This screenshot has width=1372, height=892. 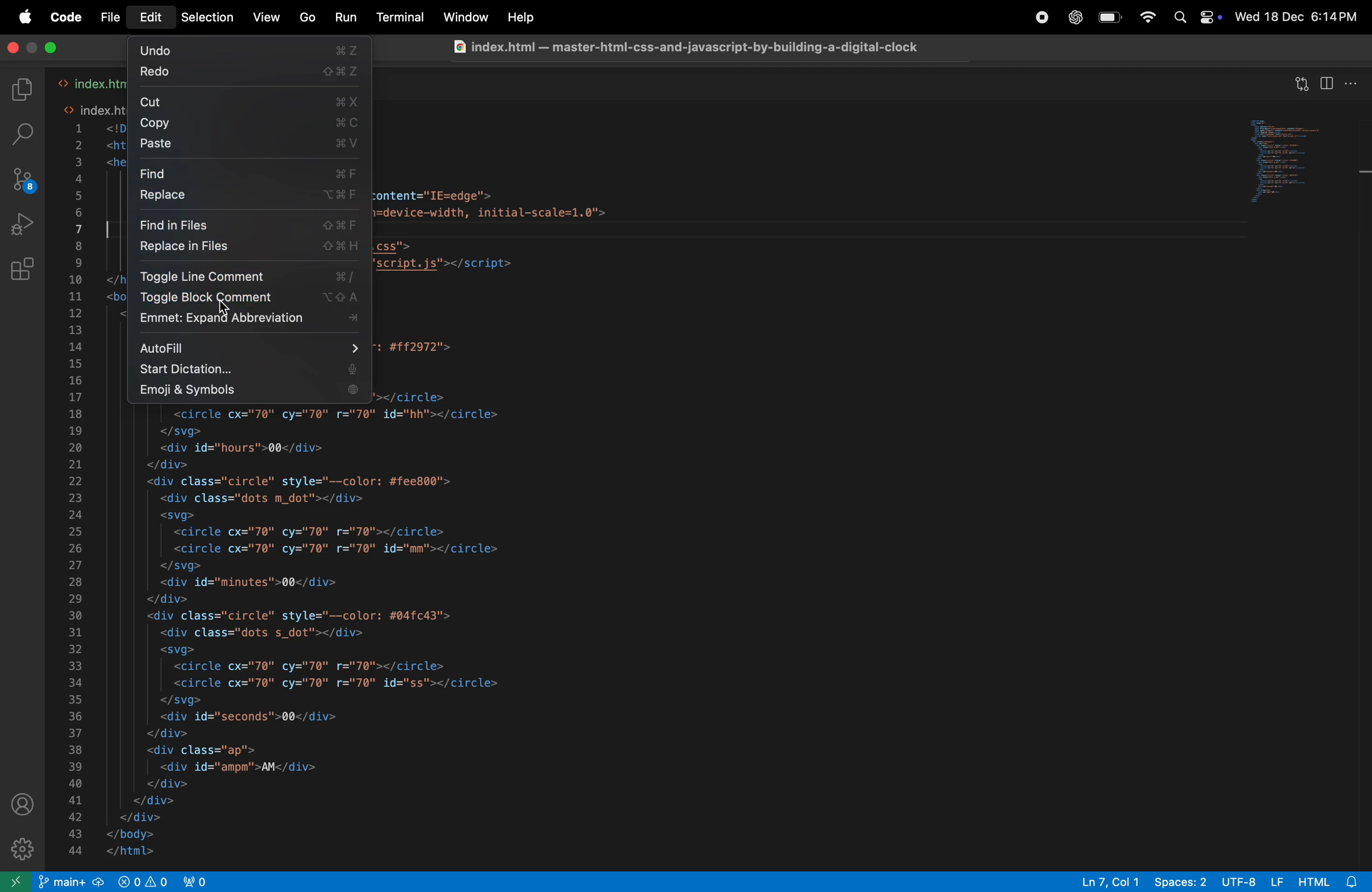 I want to click on open changes, so click(x=1304, y=80).